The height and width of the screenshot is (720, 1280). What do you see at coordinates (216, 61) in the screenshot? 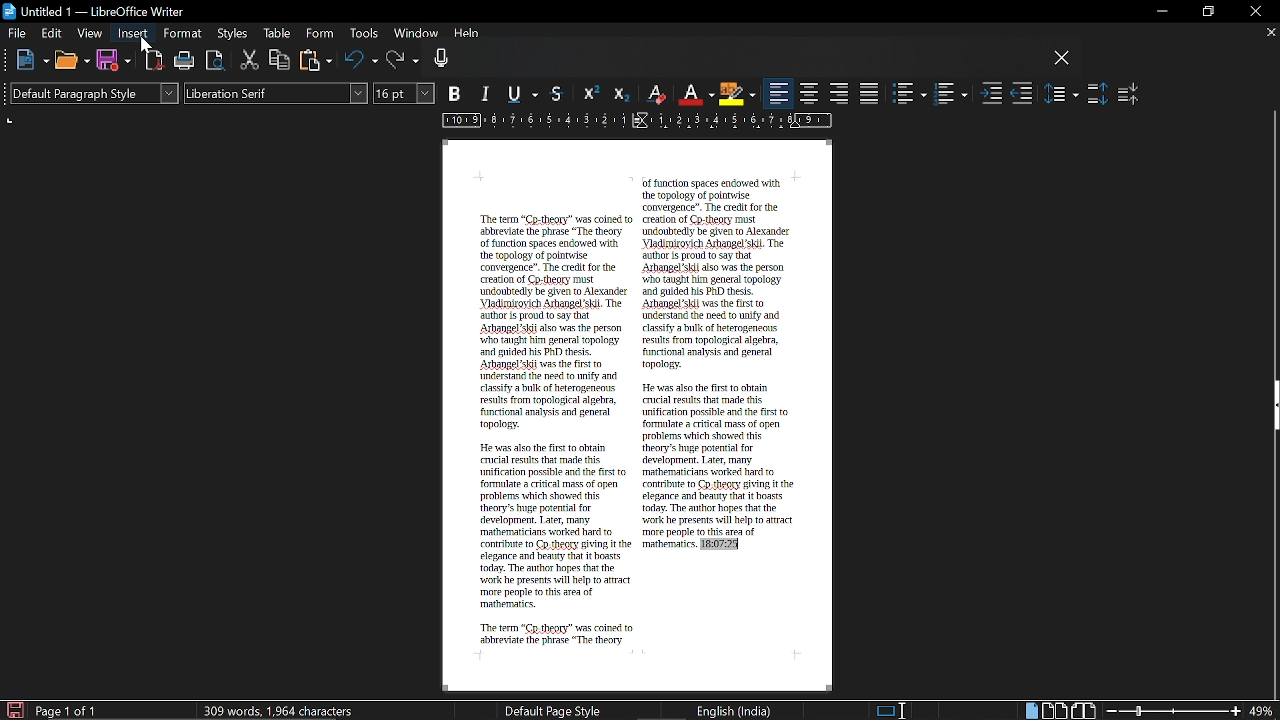
I see `Toggle print preview` at bounding box center [216, 61].